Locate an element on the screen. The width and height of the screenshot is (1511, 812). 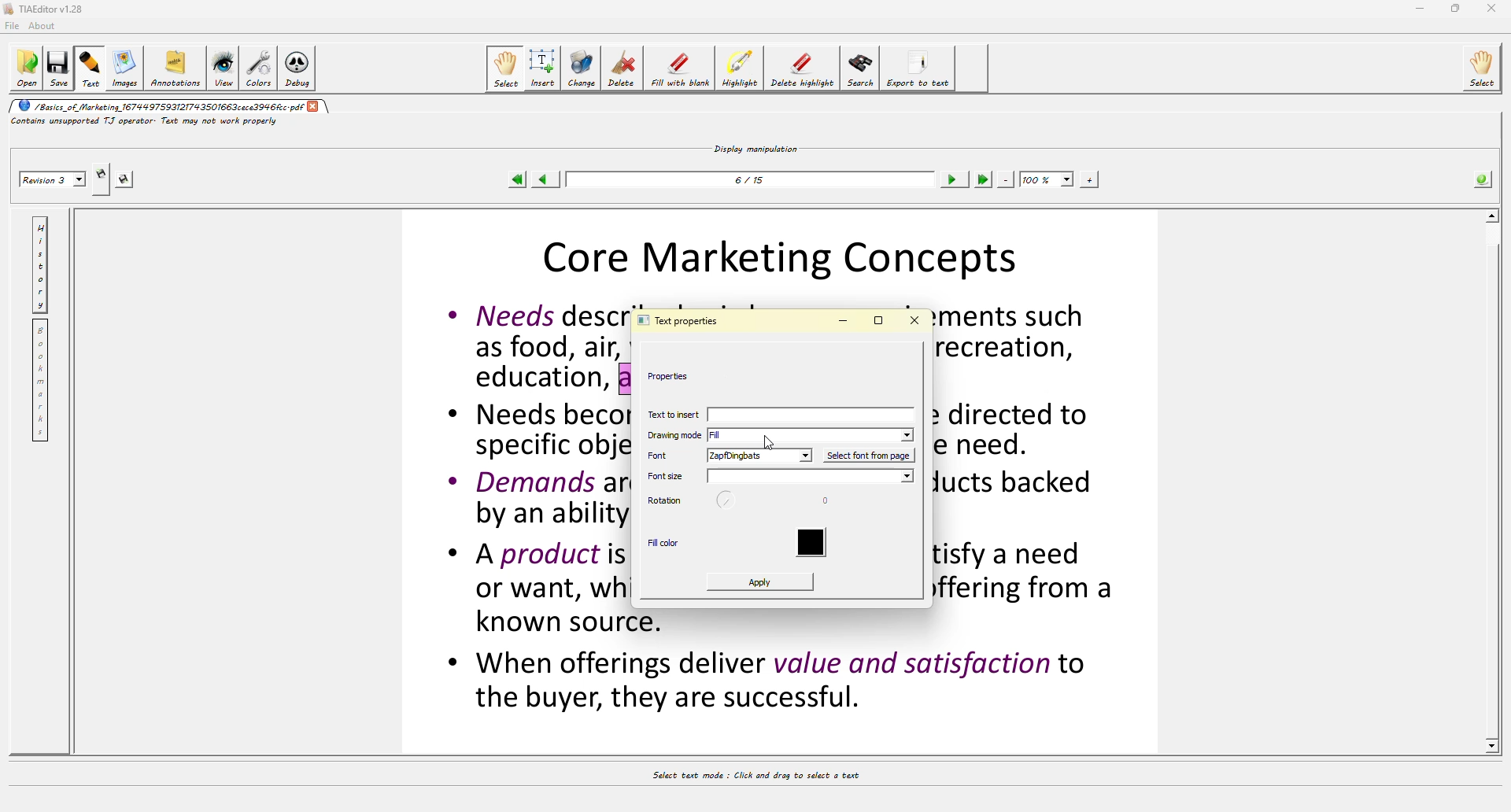
save this revision is located at coordinates (126, 179).